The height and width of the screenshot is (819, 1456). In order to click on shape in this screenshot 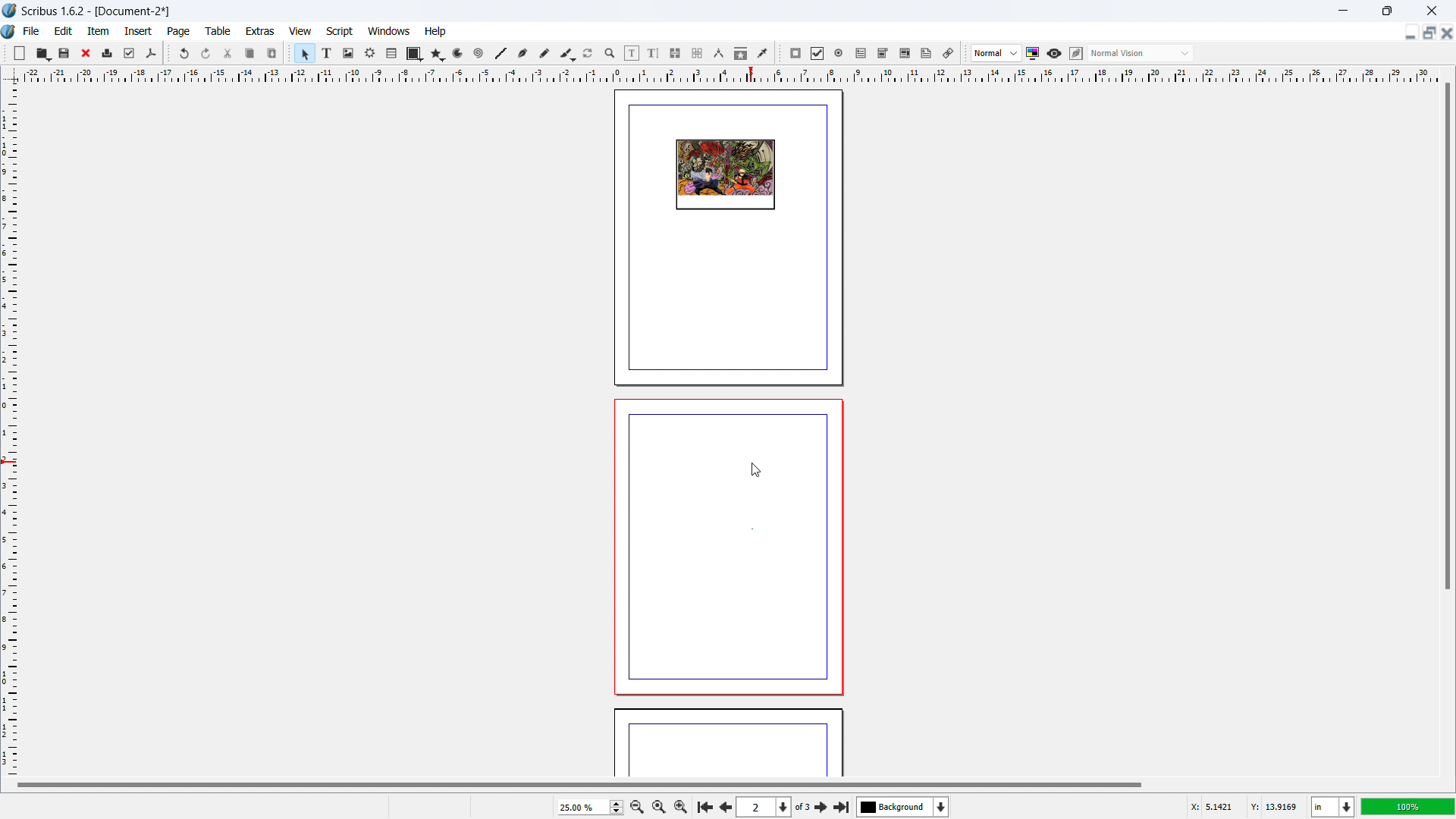, I will do `click(415, 54)`.